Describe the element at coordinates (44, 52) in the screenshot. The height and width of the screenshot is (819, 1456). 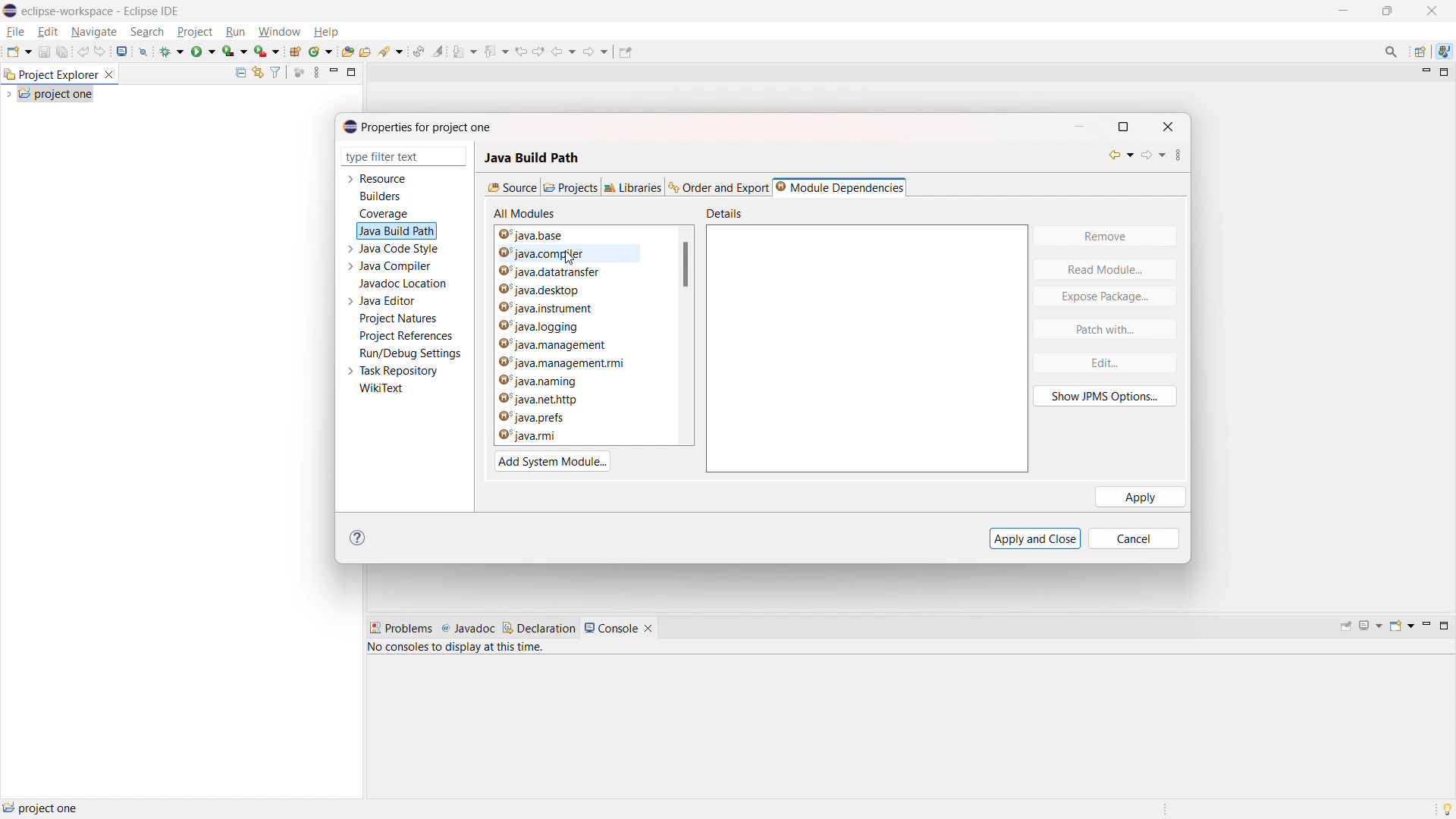
I see `save` at that location.